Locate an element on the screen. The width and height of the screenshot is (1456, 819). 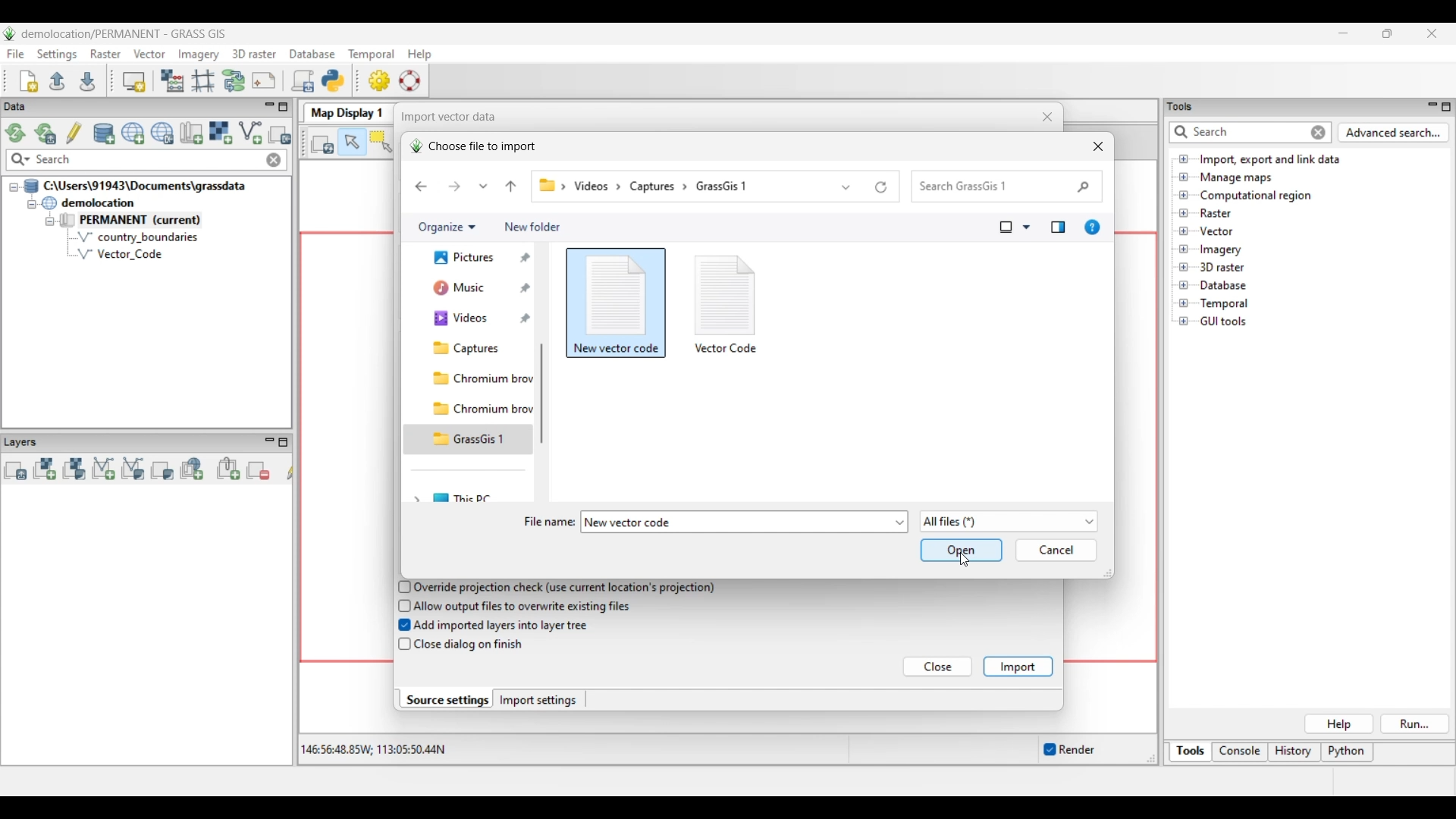
Advanced search for Tools panel is located at coordinates (1394, 133).